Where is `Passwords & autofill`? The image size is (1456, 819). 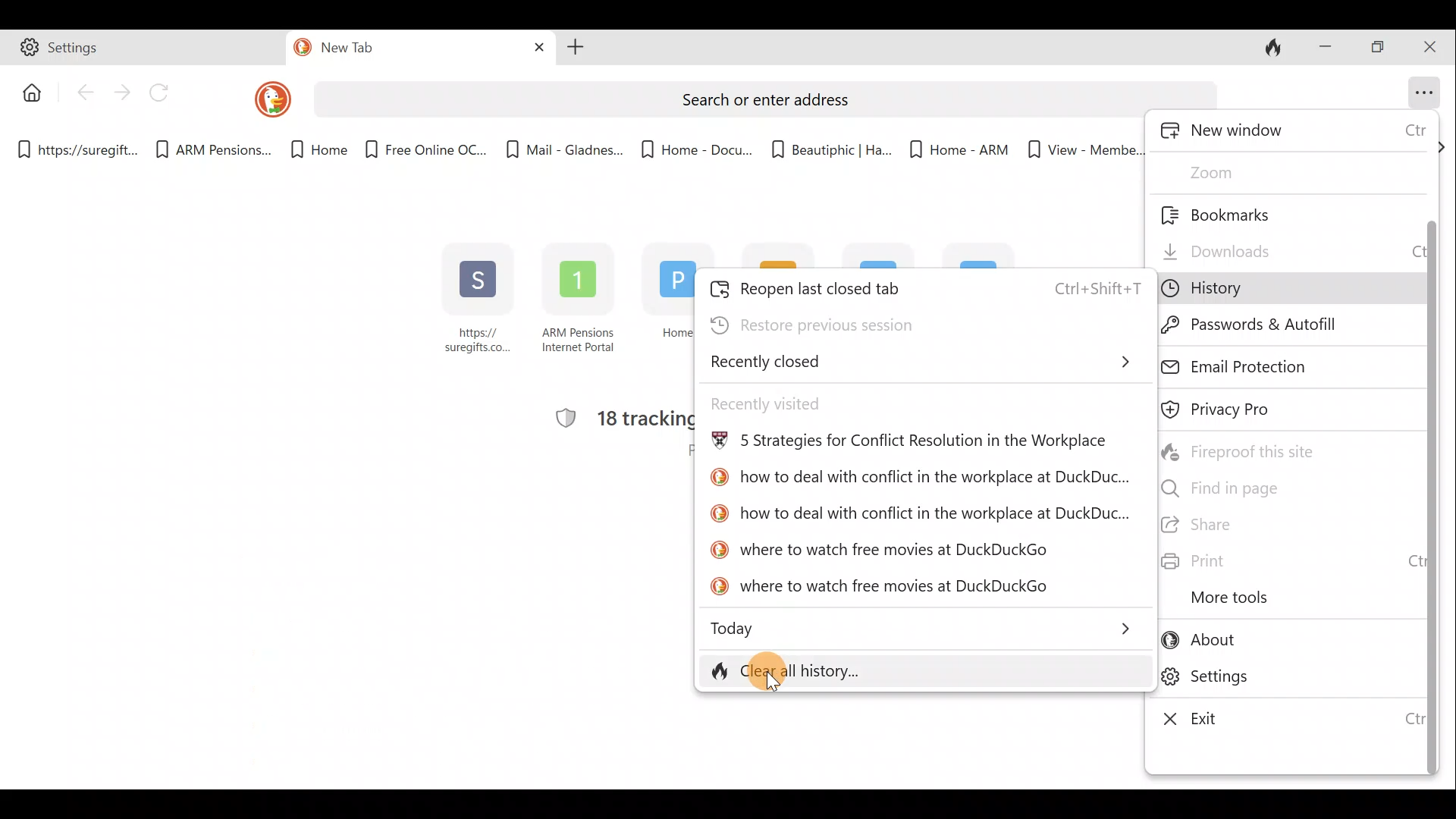
Passwords & autofill is located at coordinates (1275, 325).